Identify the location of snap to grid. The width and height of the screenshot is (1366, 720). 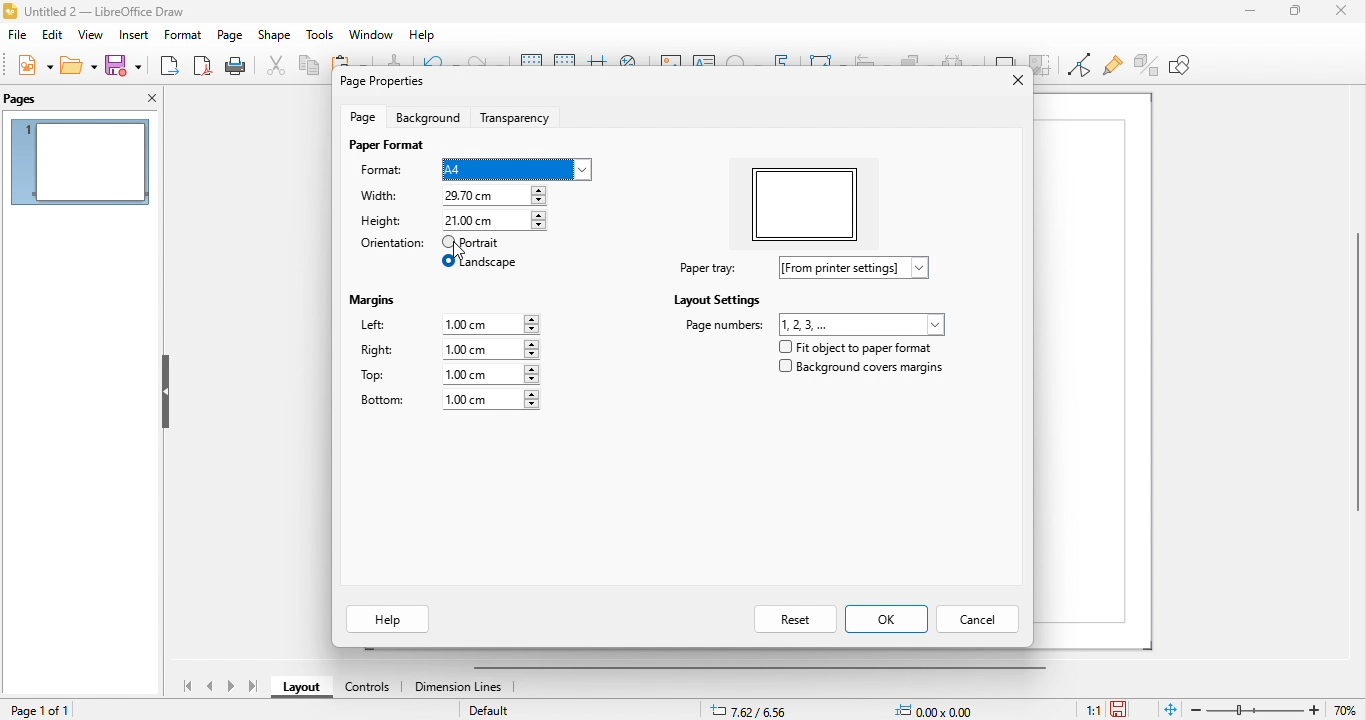
(564, 64).